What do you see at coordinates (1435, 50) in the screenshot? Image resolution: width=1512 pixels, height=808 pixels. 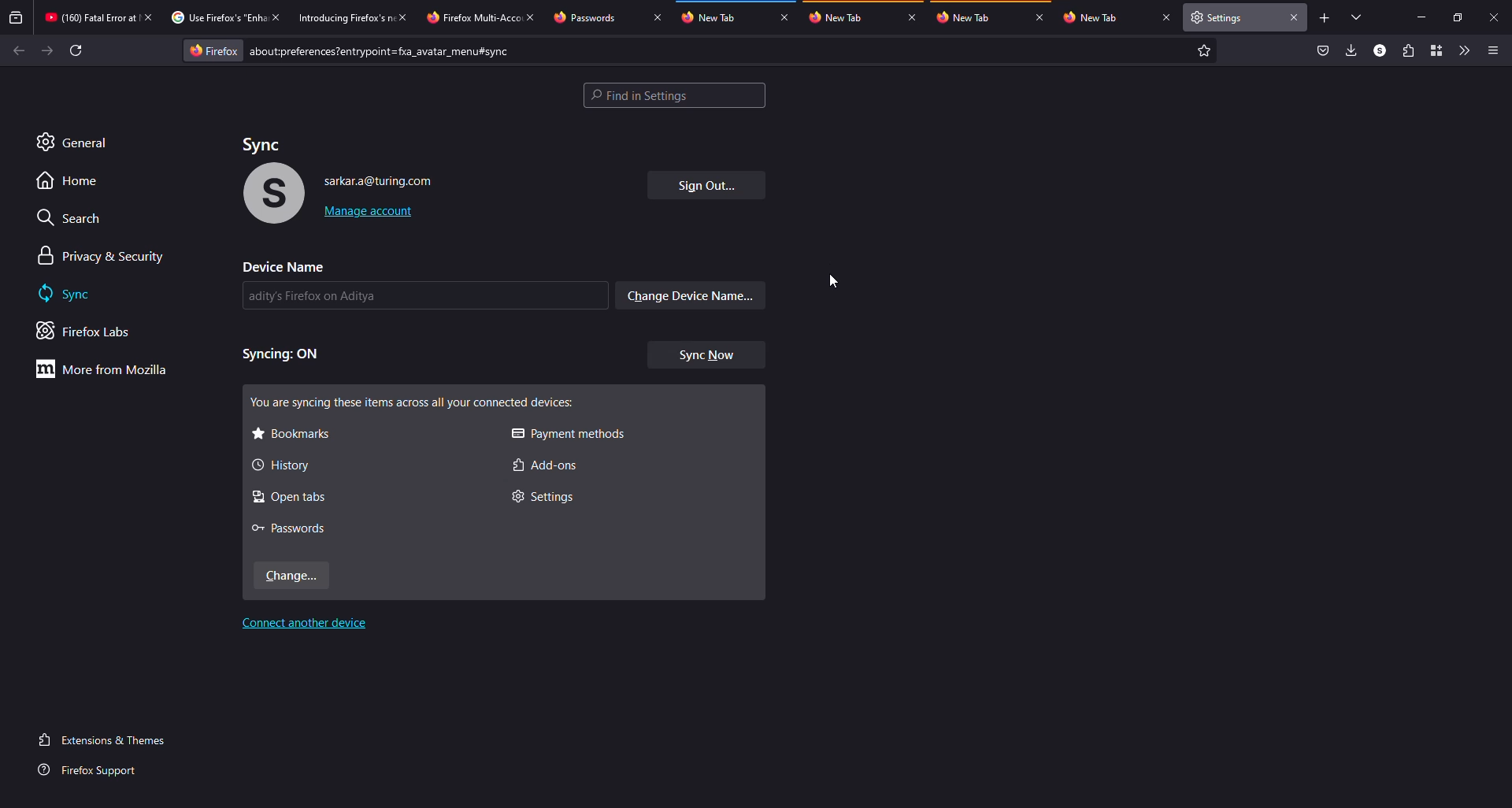 I see `container` at bounding box center [1435, 50].